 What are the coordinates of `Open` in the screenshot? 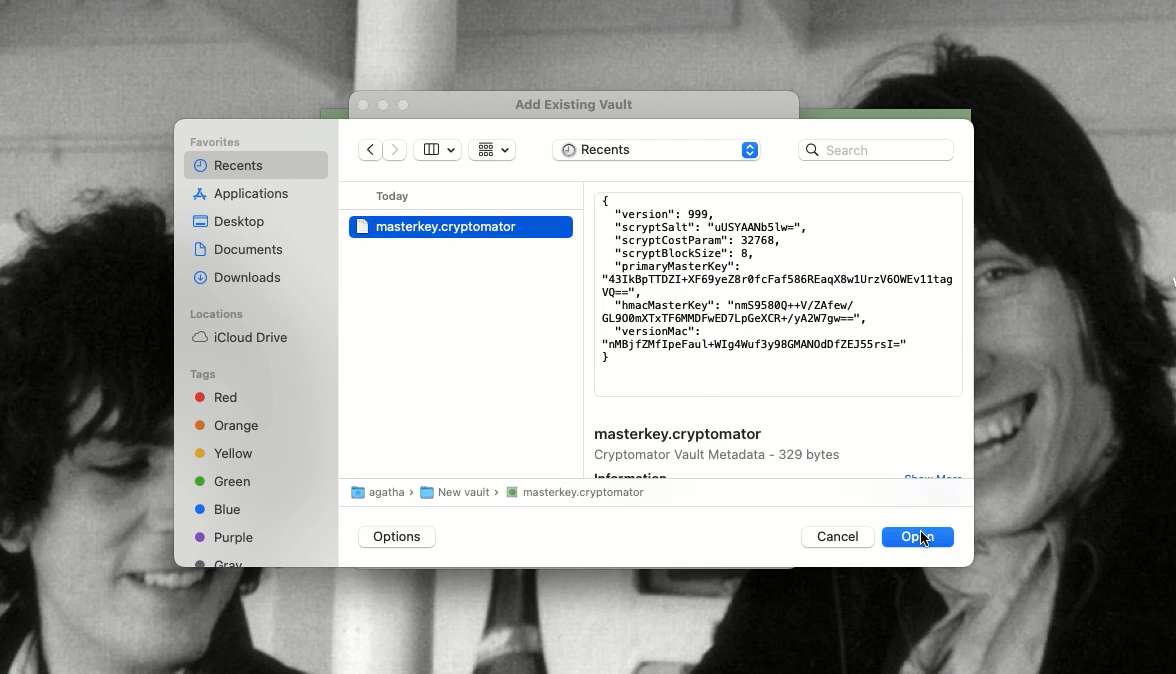 It's located at (920, 536).